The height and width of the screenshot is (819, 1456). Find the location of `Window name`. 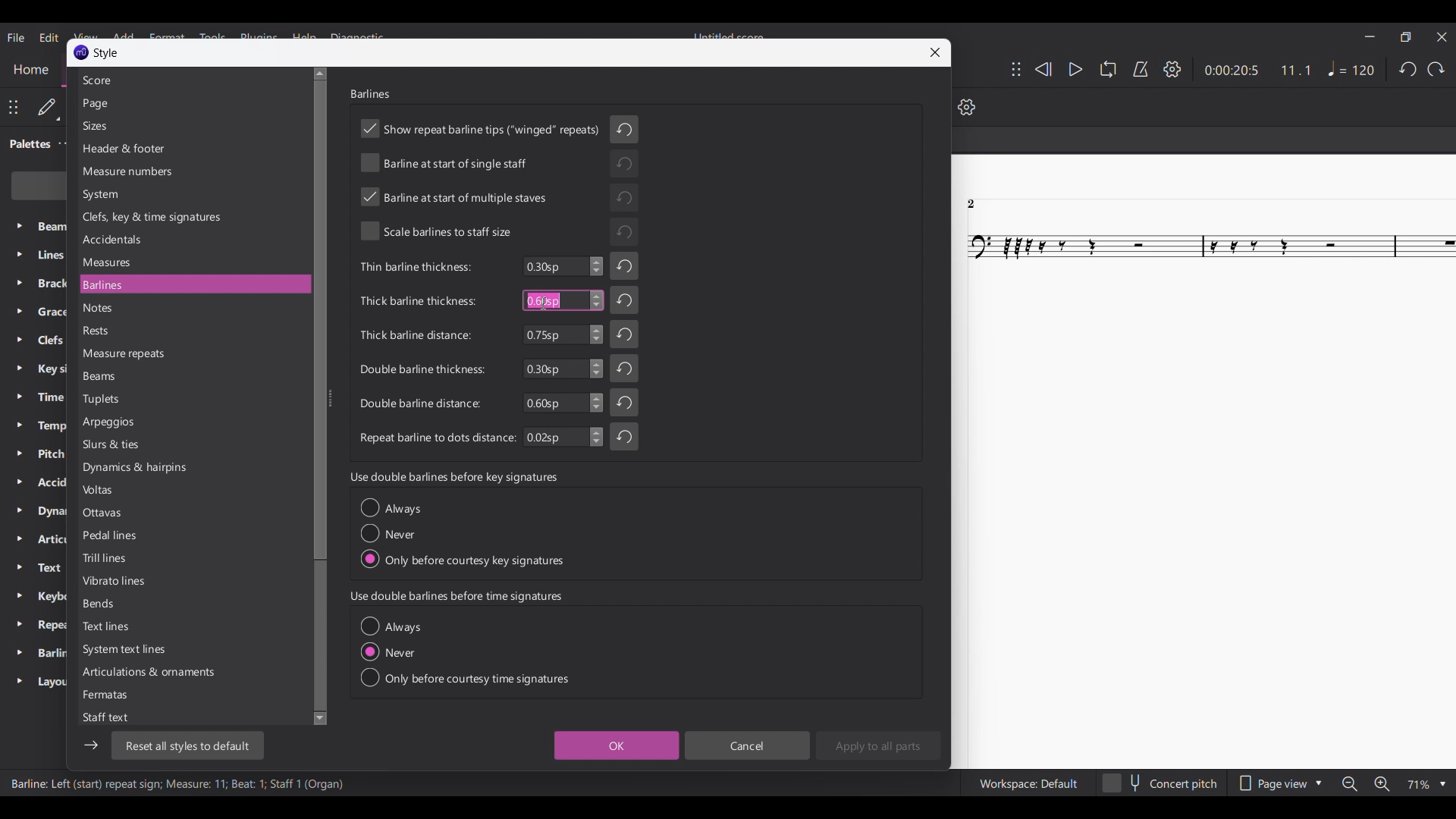

Window name is located at coordinates (106, 52).